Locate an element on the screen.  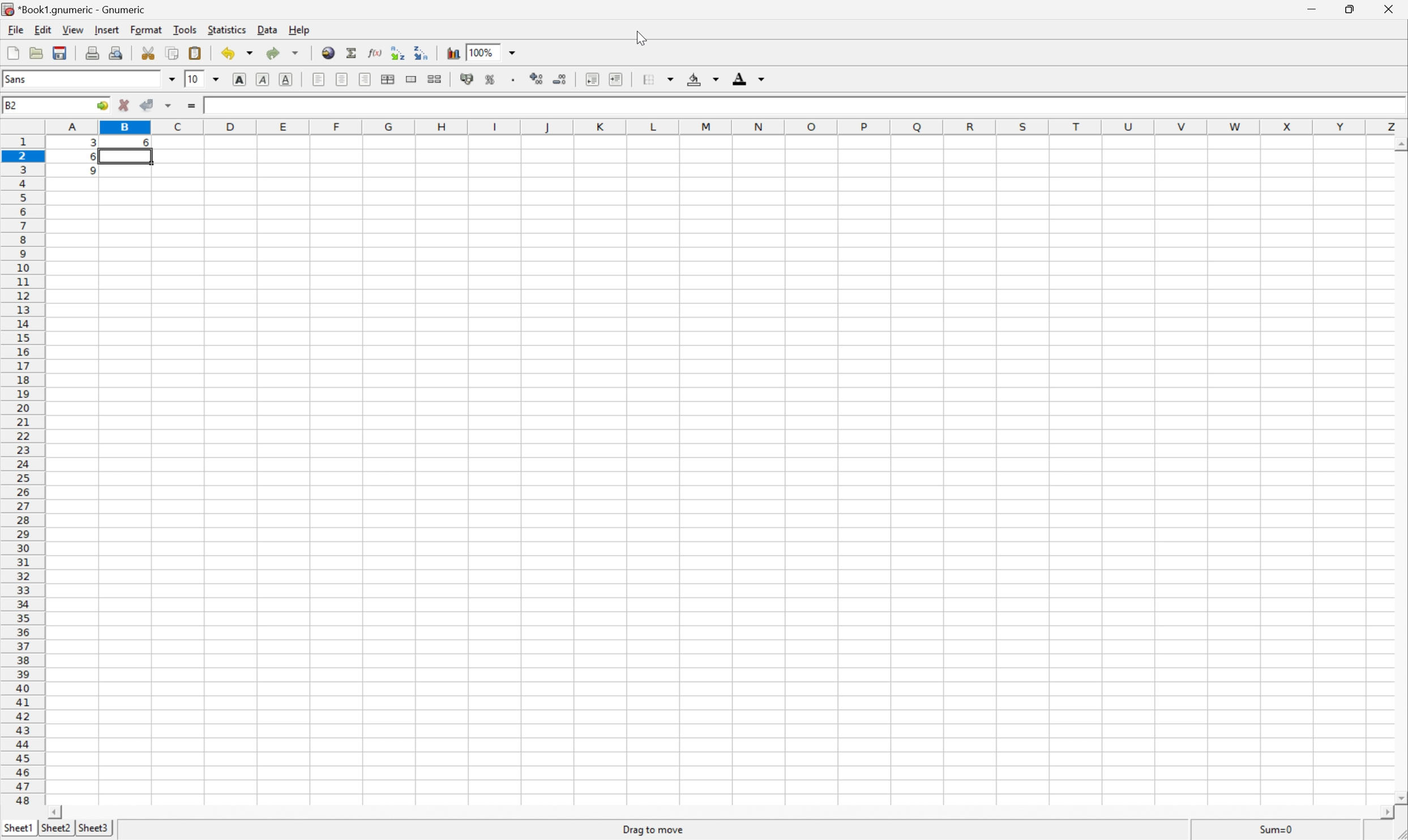
Cut selection is located at coordinates (148, 53).